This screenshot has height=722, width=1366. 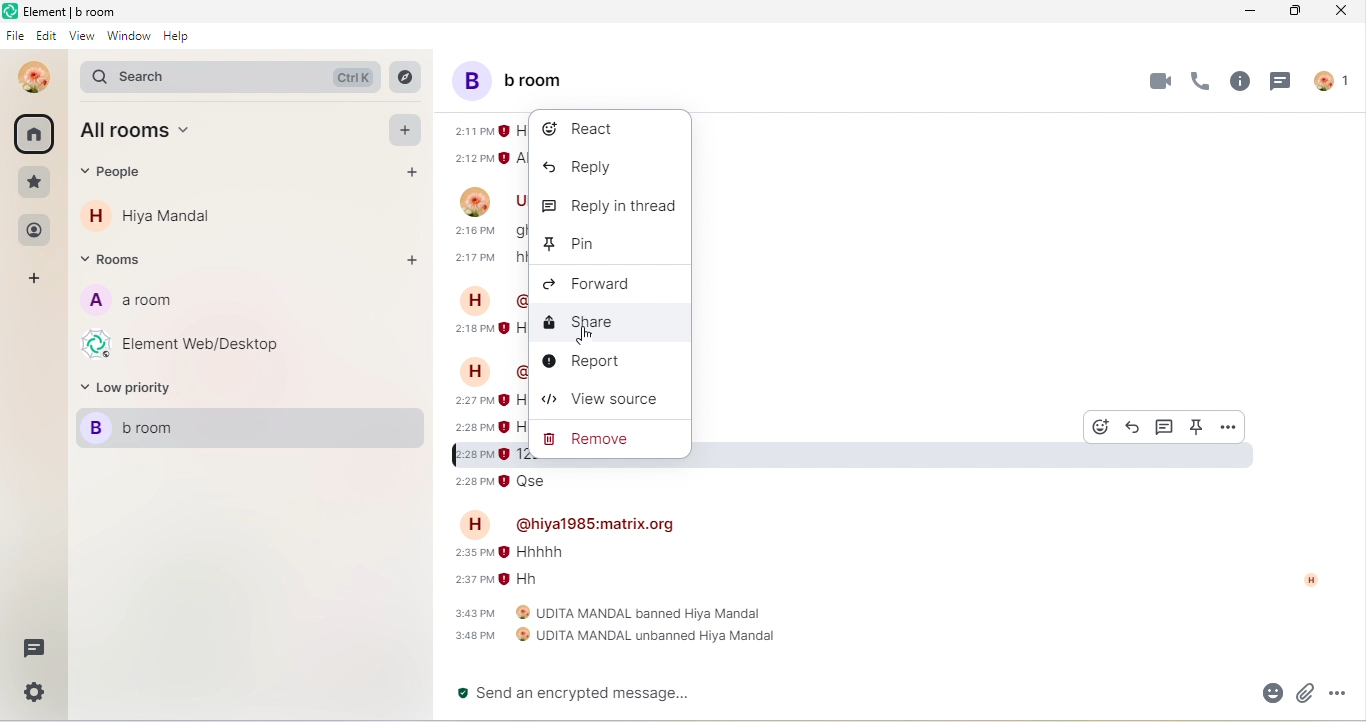 What do you see at coordinates (47, 38) in the screenshot?
I see `edit` at bounding box center [47, 38].